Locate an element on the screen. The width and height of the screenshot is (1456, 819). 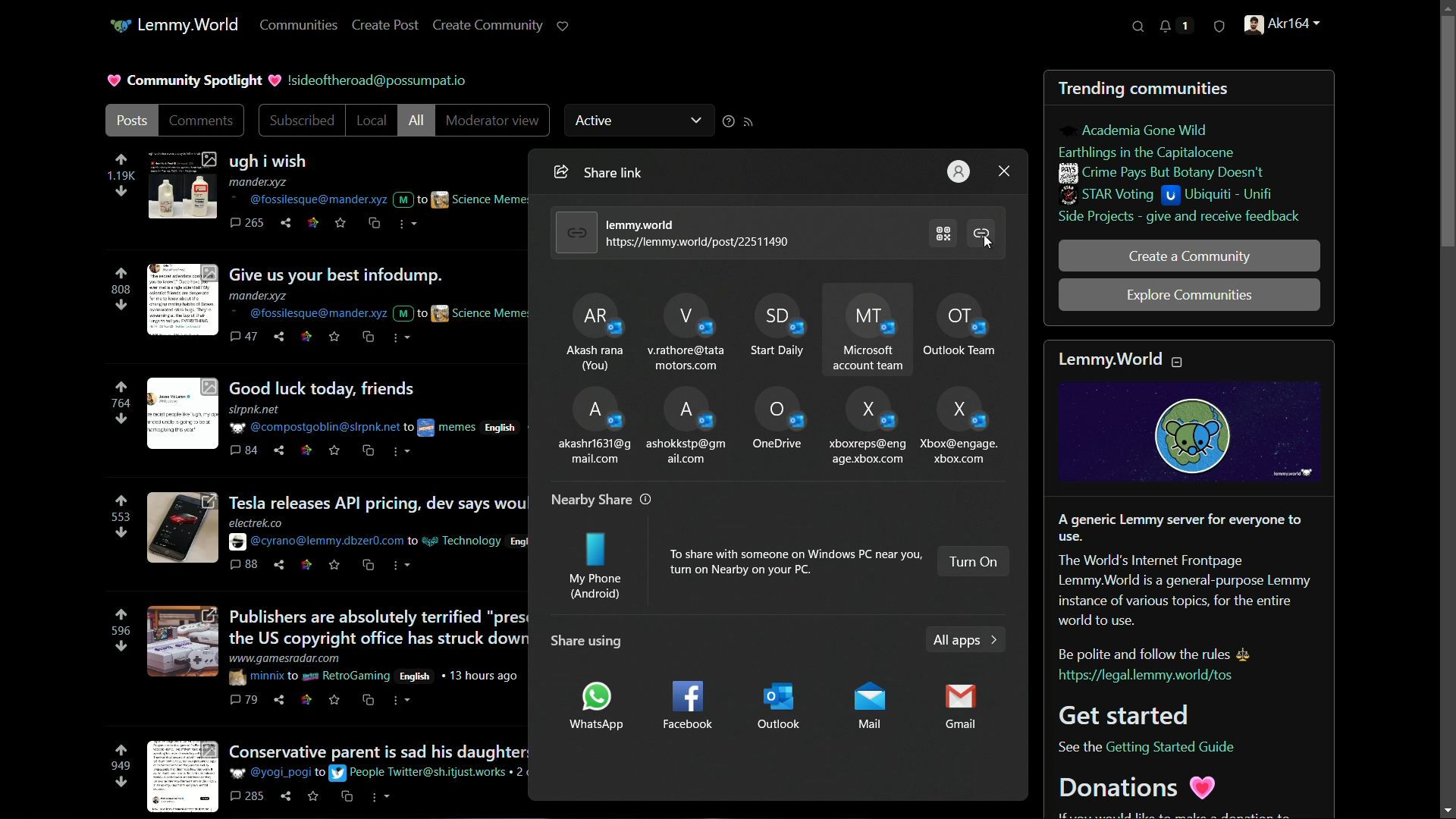
local is located at coordinates (368, 121).